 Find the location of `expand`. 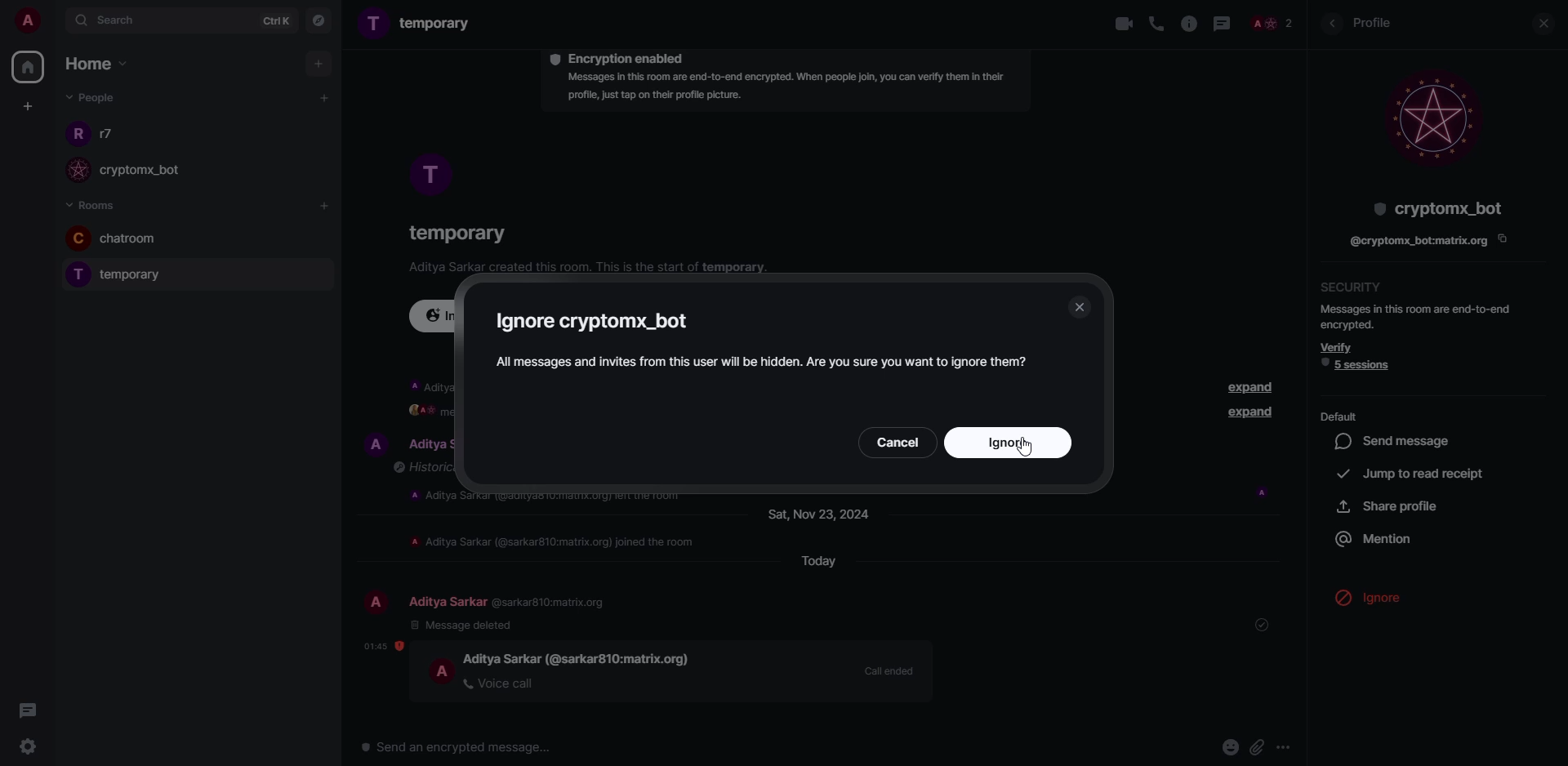

expand is located at coordinates (1246, 387).